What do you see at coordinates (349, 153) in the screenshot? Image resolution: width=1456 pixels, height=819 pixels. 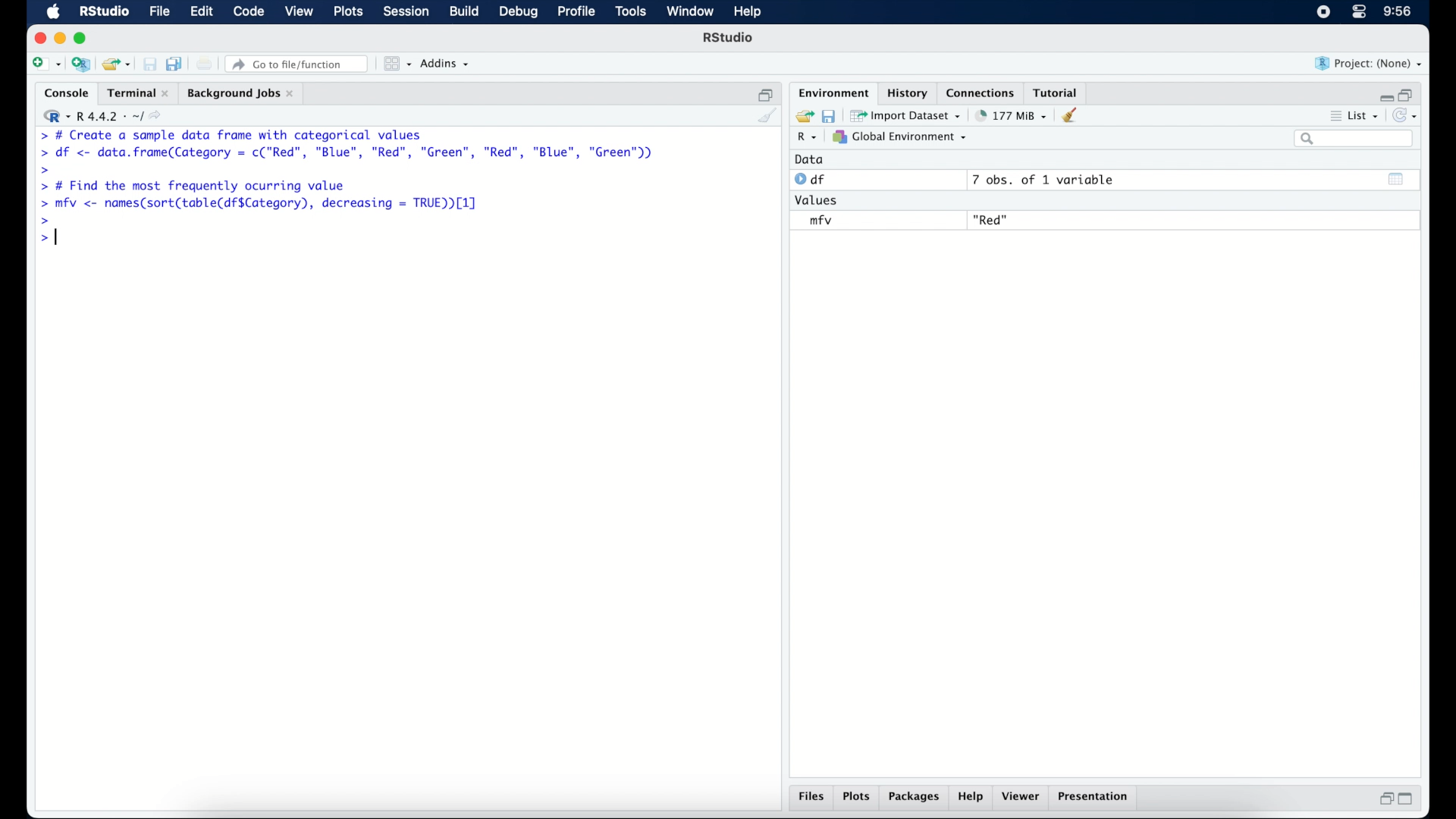 I see `> df <- data.frame(Category = c("Red”, "Blue", "Red", "Green", "Red", "Blue", "Green"))|` at bounding box center [349, 153].